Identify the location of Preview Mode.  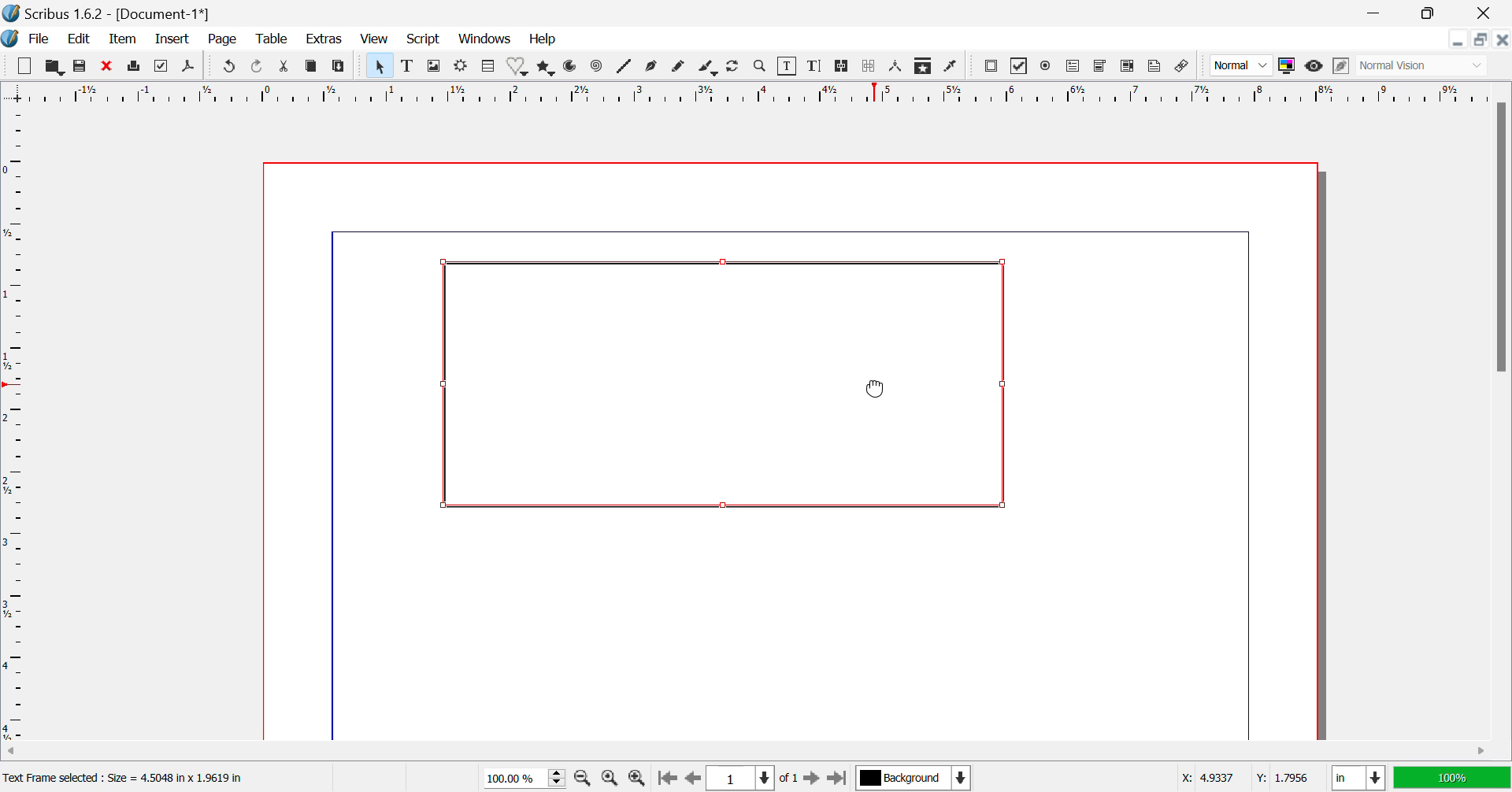
(1314, 68).